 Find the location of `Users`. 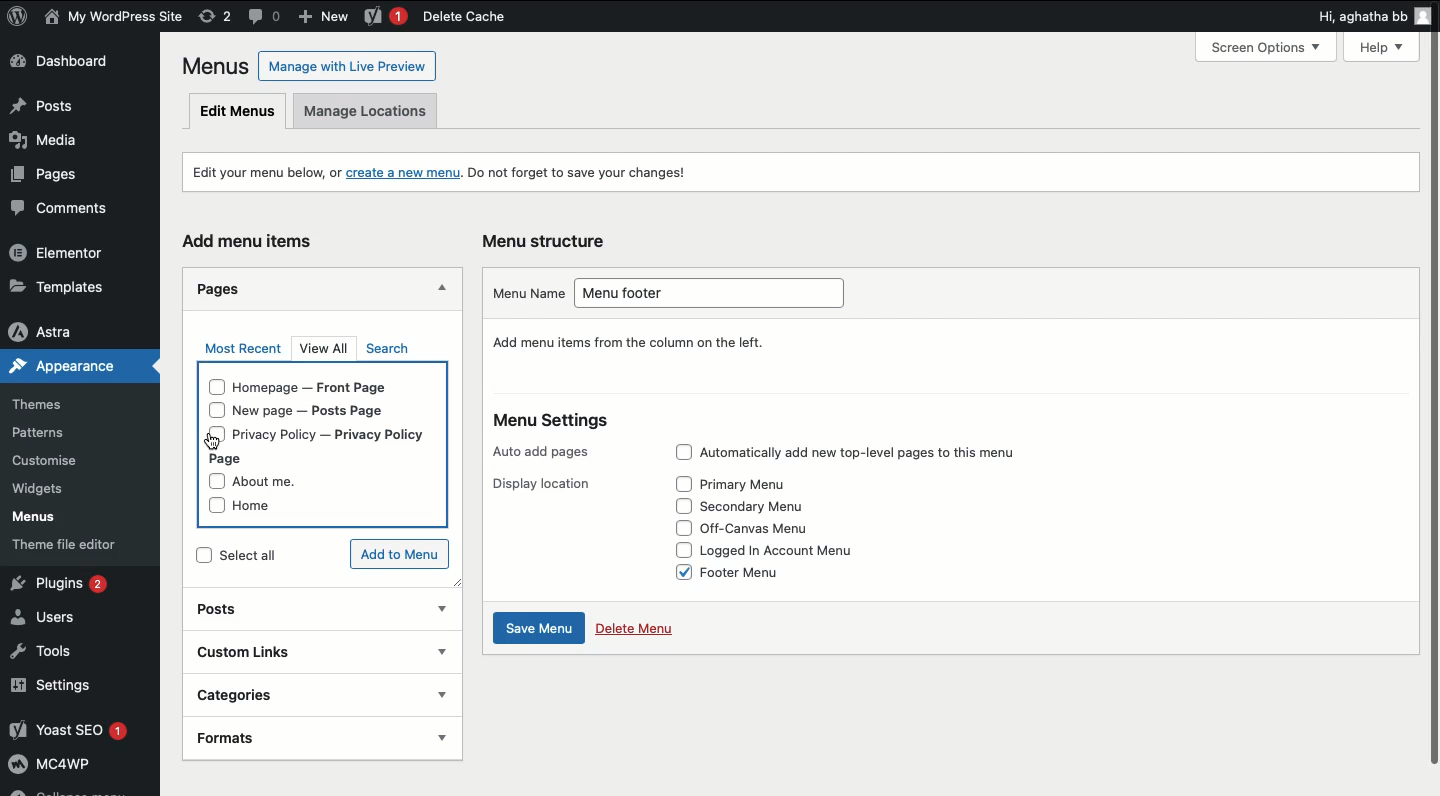

Users is located at coordinates (57, 619).